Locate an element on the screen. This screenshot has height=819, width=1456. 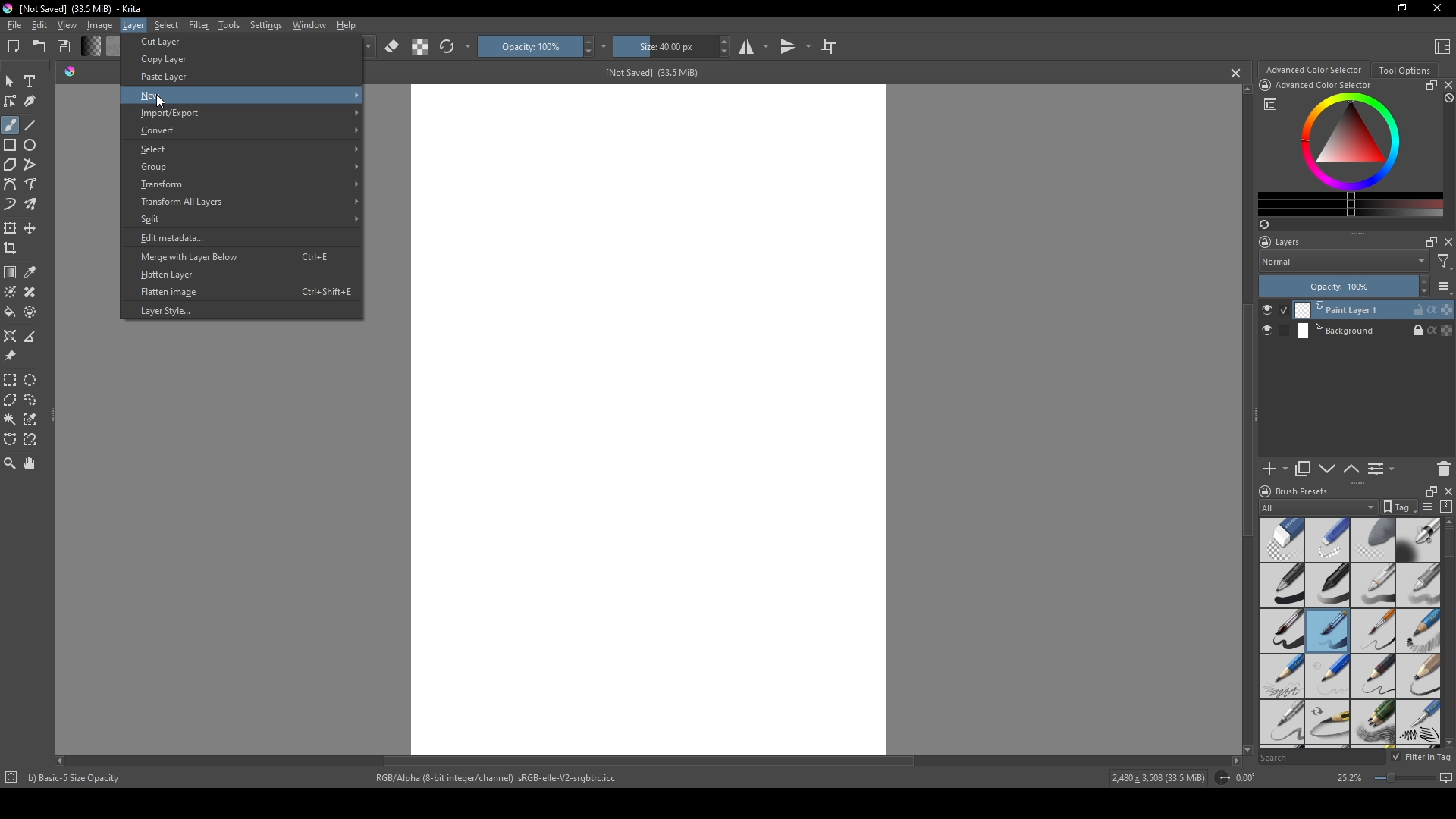
compress is located at coordinates (1447, 507).